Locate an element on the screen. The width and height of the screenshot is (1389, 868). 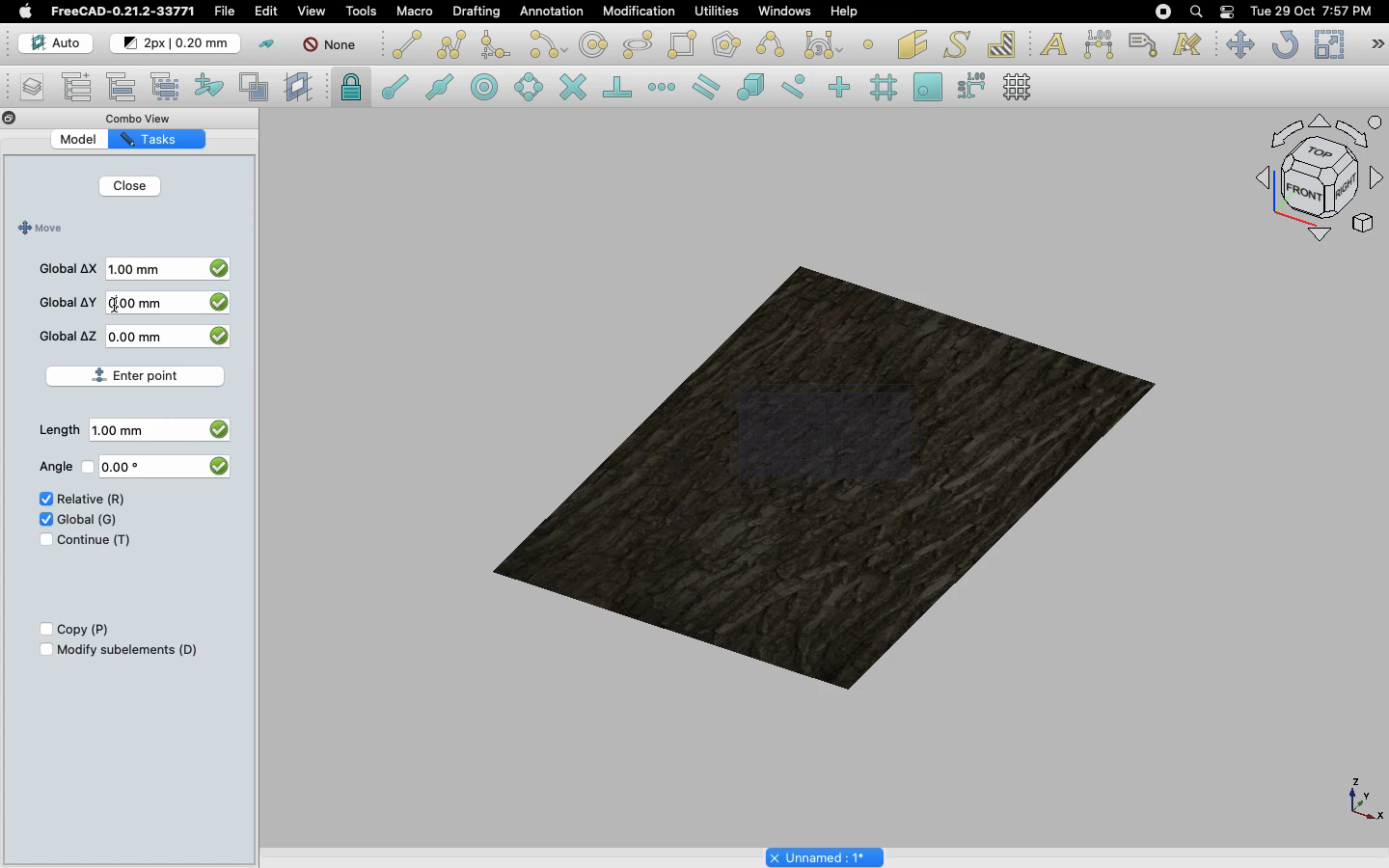
Modify subelements is located at coordinates (128, 649).